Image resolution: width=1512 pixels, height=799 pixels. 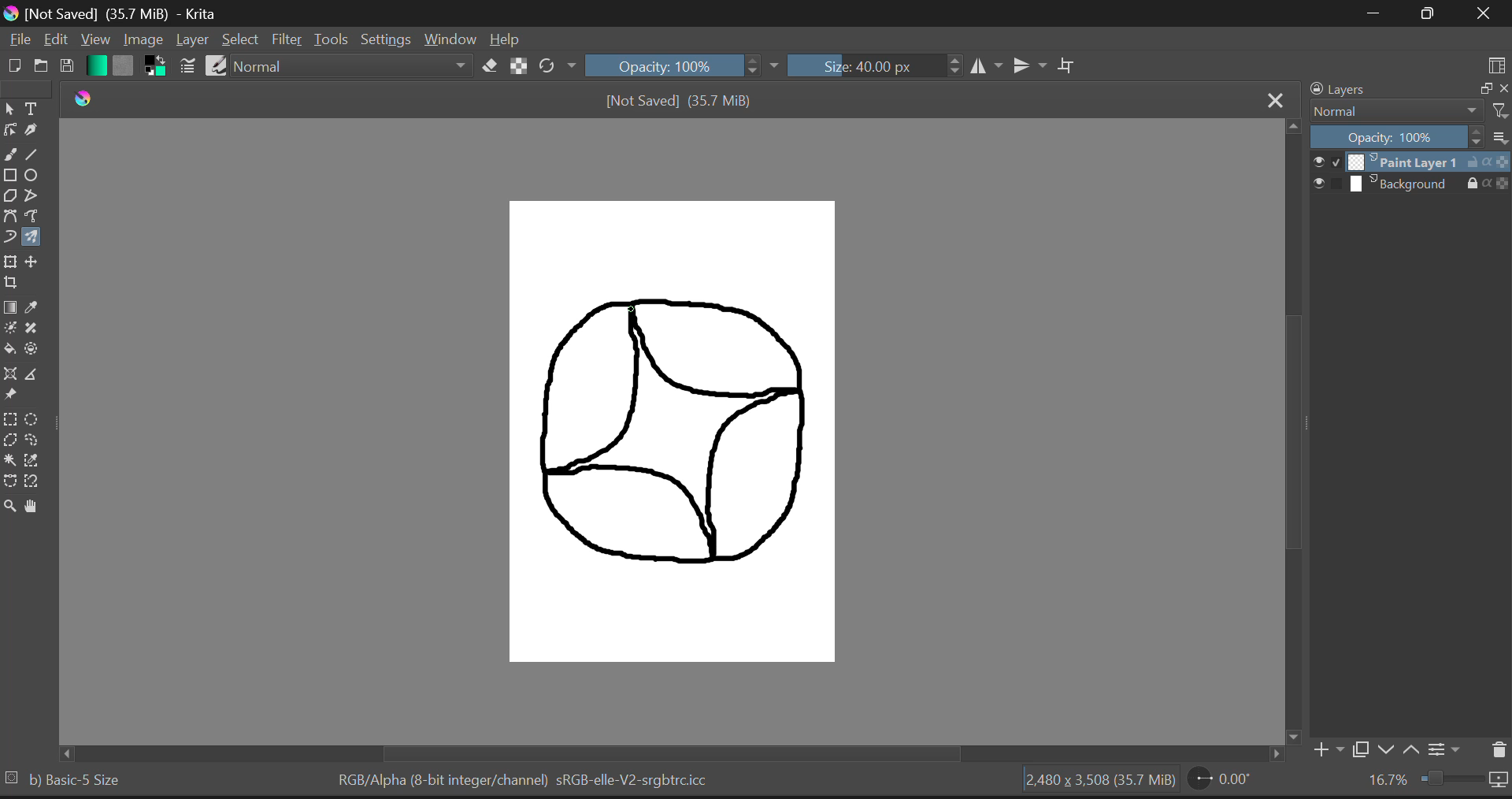 What do you see at coordinates (1389, 750) in the screenshot?
I see `Move Layer Down` at bounding box center [1389, 750].